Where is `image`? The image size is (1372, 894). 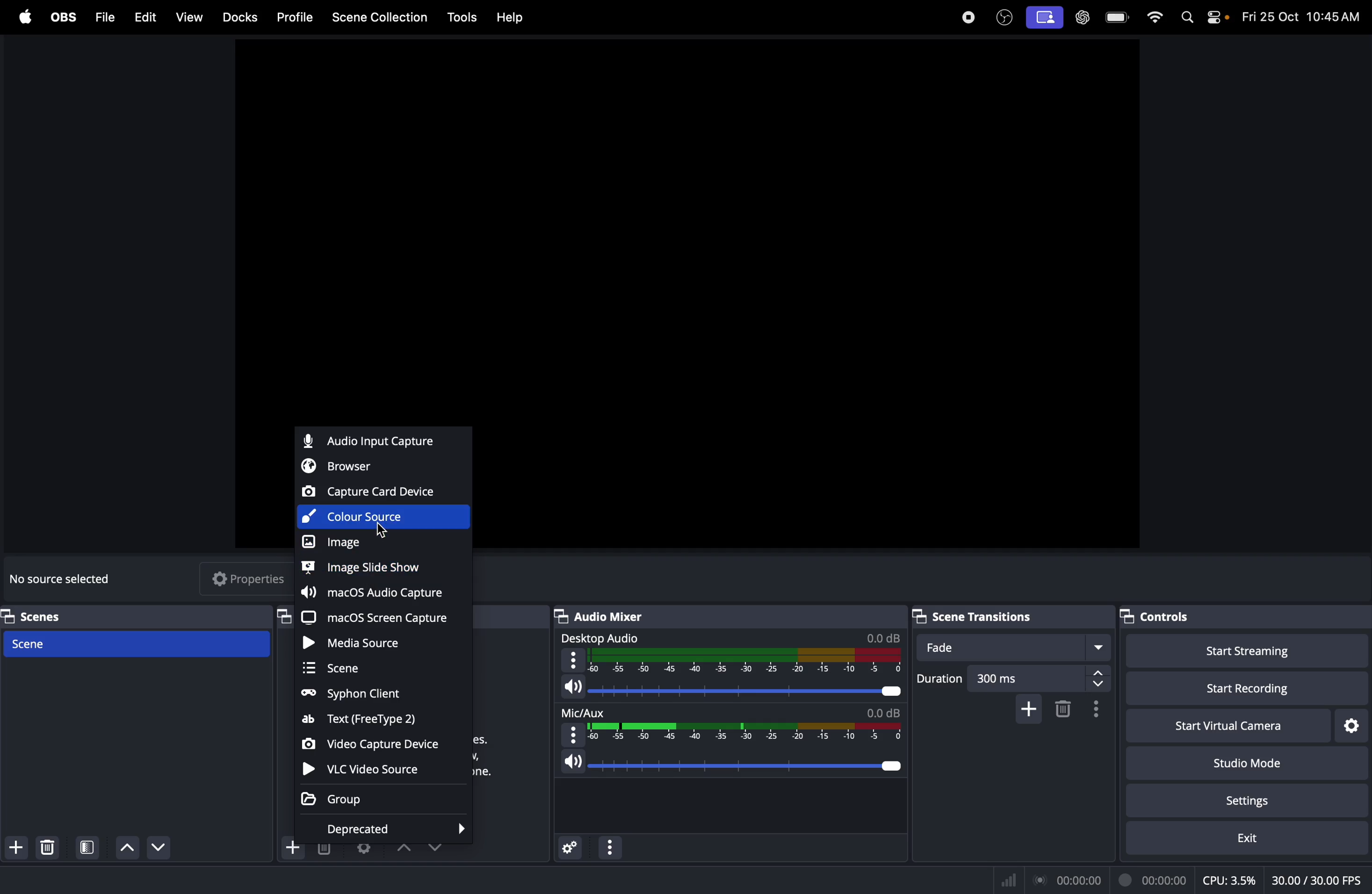 image is located at coordinates (376, 544).